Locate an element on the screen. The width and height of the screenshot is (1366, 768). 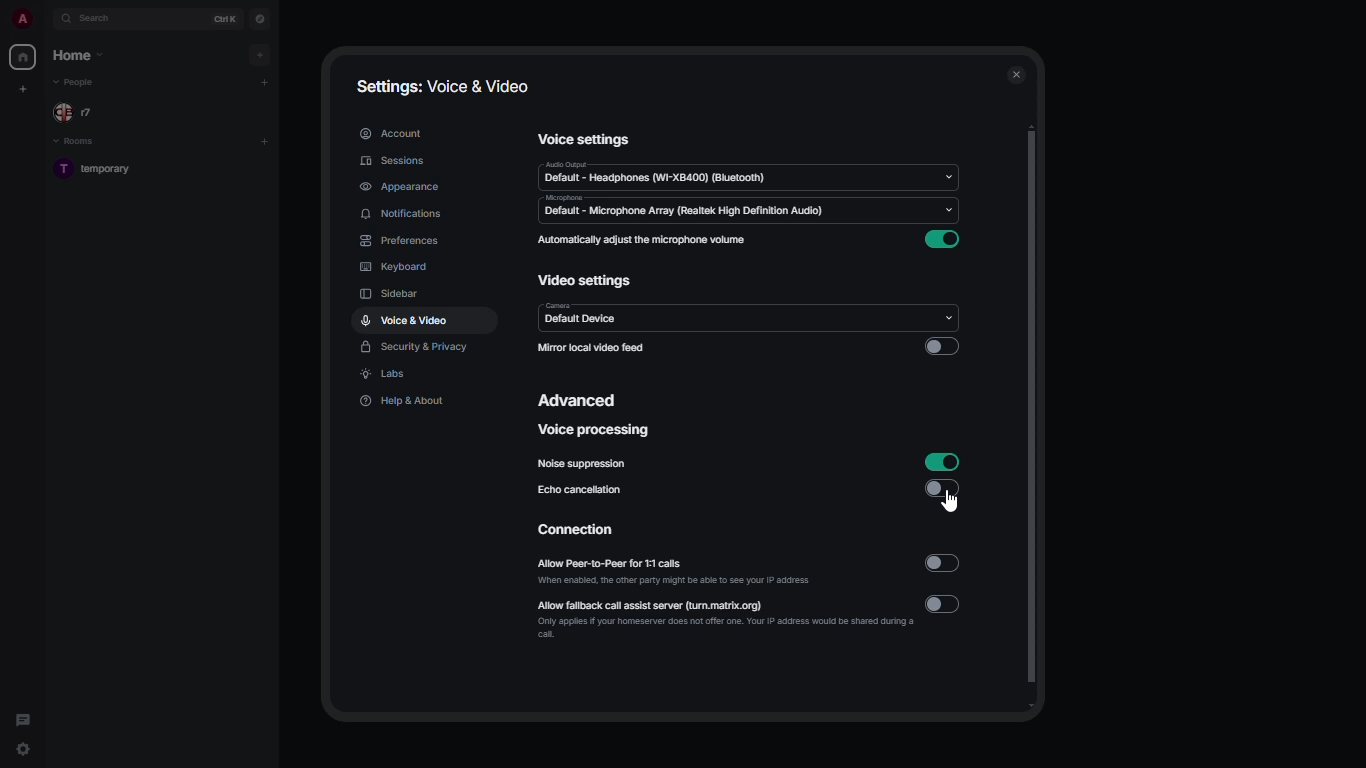
scroll bar is located at coordinates (1034, 418).